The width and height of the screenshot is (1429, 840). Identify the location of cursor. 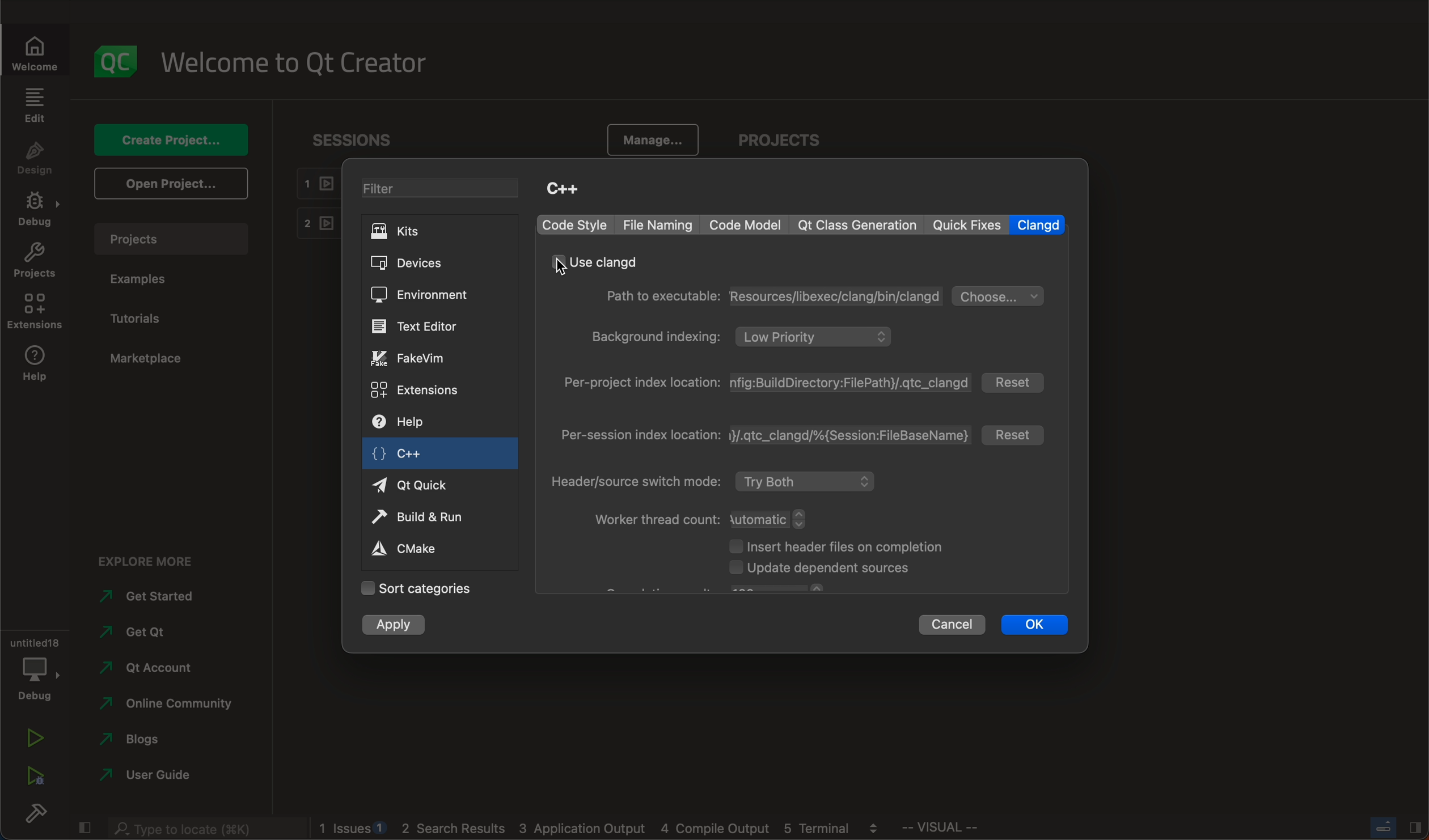
(560, 262).